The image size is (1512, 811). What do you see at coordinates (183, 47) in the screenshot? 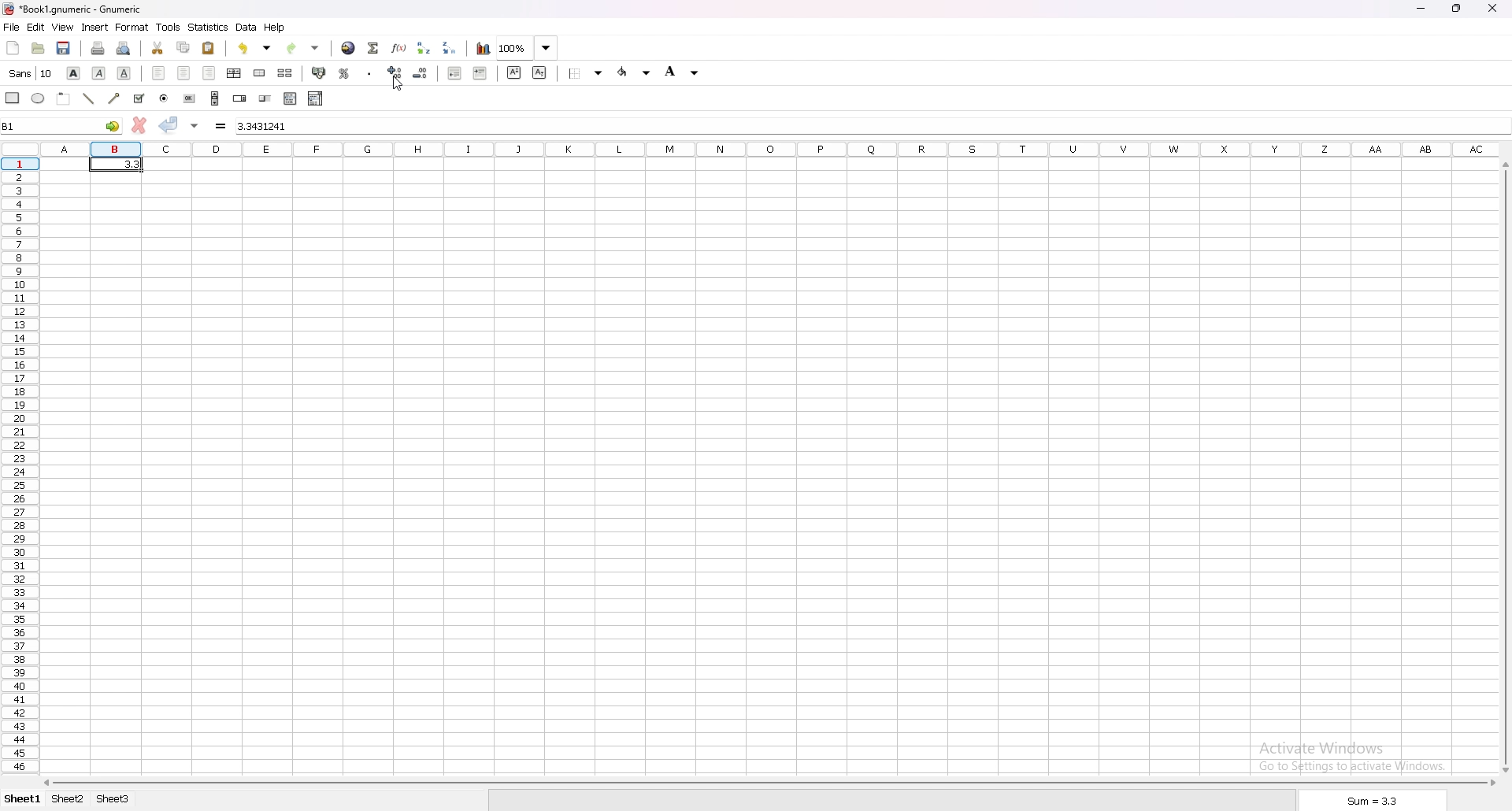
I see `copy` at bounding box center [183, 47].